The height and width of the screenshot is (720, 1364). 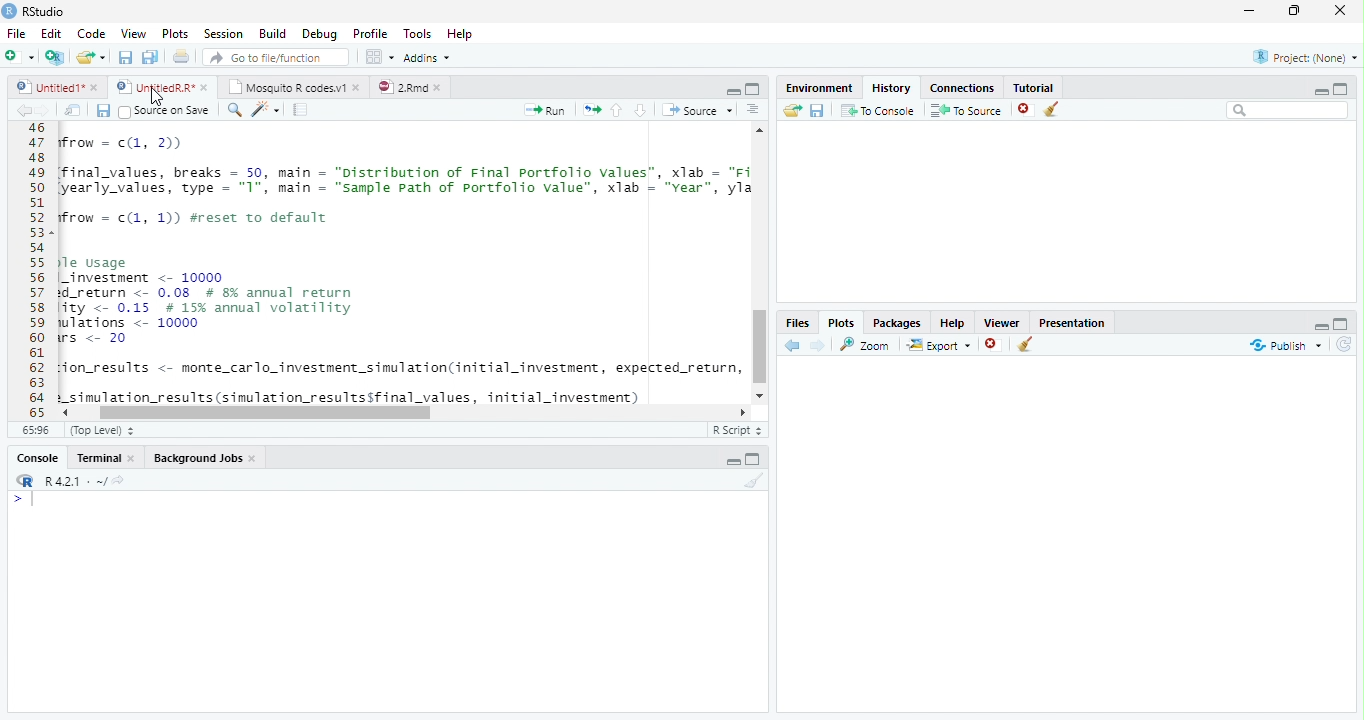 I want to click on Scroll bar, so click(x=264, y=412).